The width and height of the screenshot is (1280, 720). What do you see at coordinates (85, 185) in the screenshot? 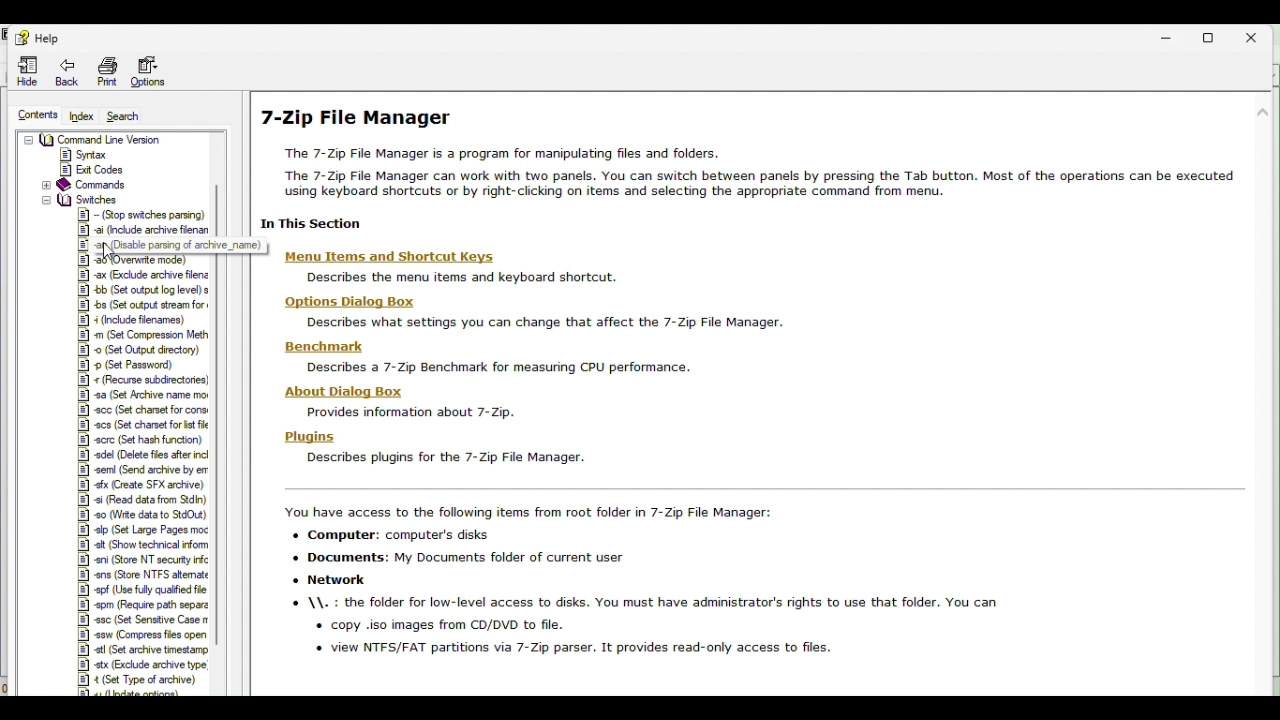
I see `Commands` at bounding box center [85, 185].